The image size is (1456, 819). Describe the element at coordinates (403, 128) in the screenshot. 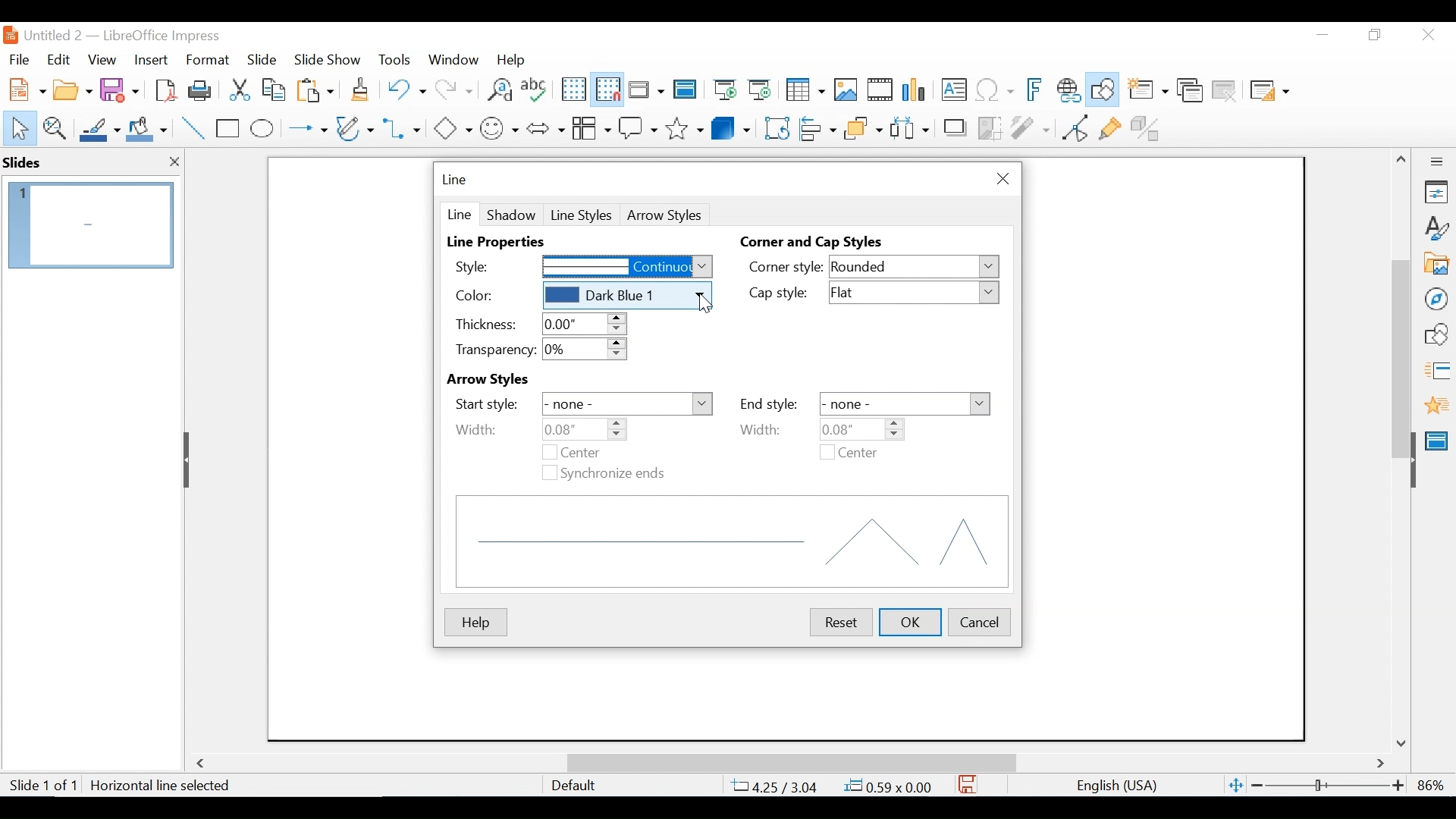

I see `Connectors` at that location.